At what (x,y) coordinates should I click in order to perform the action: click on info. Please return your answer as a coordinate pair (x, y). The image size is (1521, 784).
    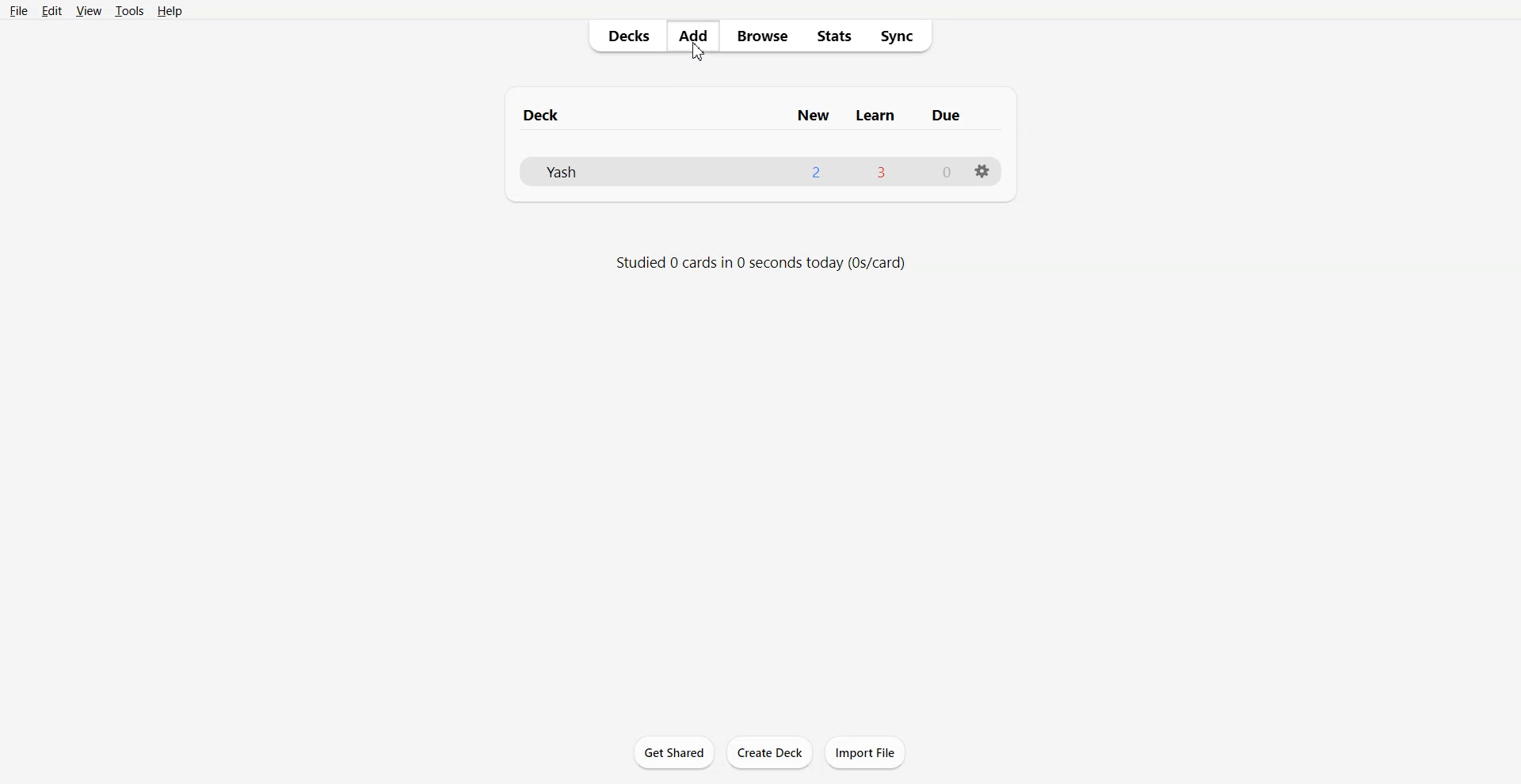
    Looking at the image, I should click on (763, 262).